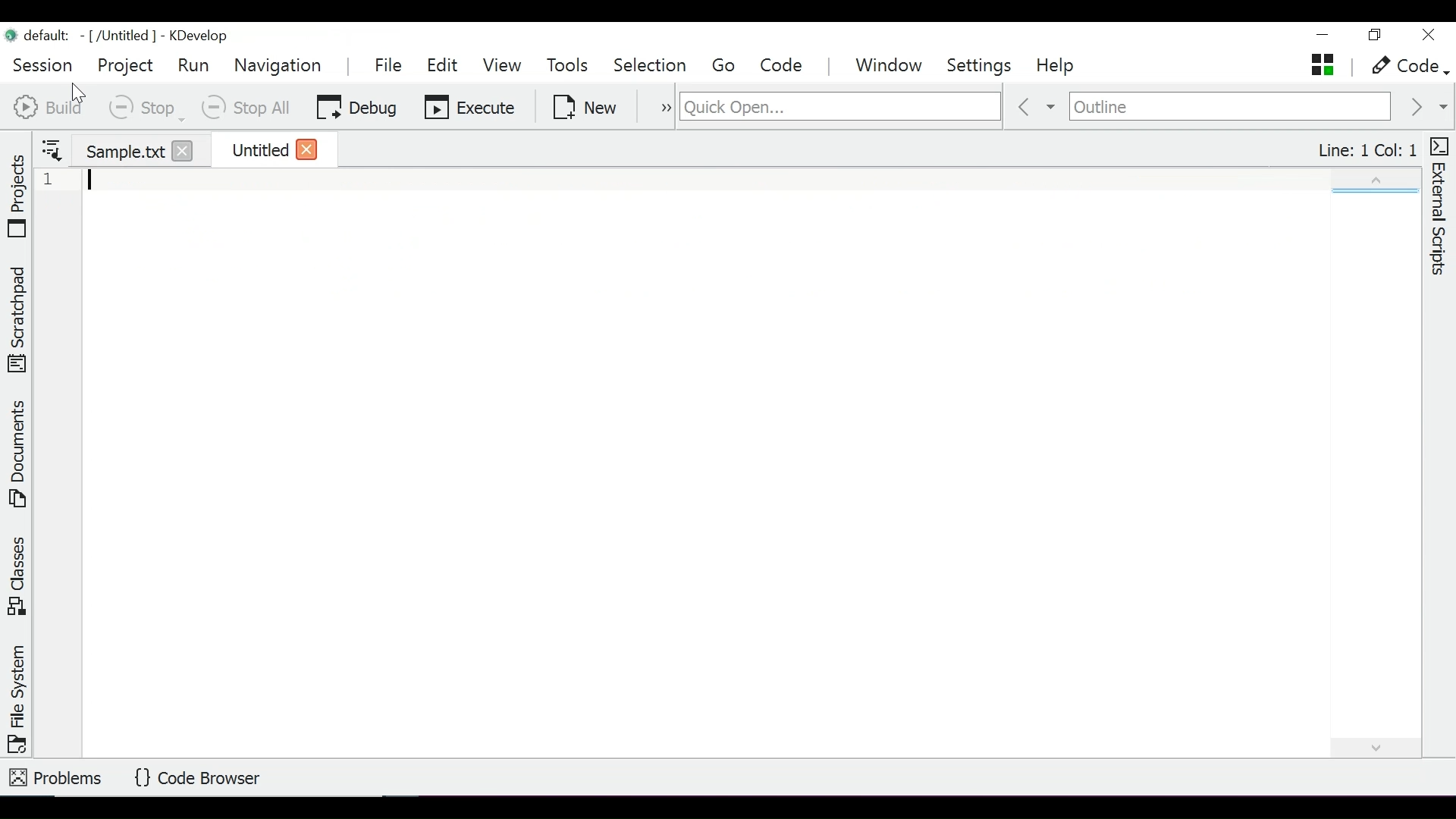  Describe the element at coordinates (443, 67) in the screenshot. I see `Edit` at that location.